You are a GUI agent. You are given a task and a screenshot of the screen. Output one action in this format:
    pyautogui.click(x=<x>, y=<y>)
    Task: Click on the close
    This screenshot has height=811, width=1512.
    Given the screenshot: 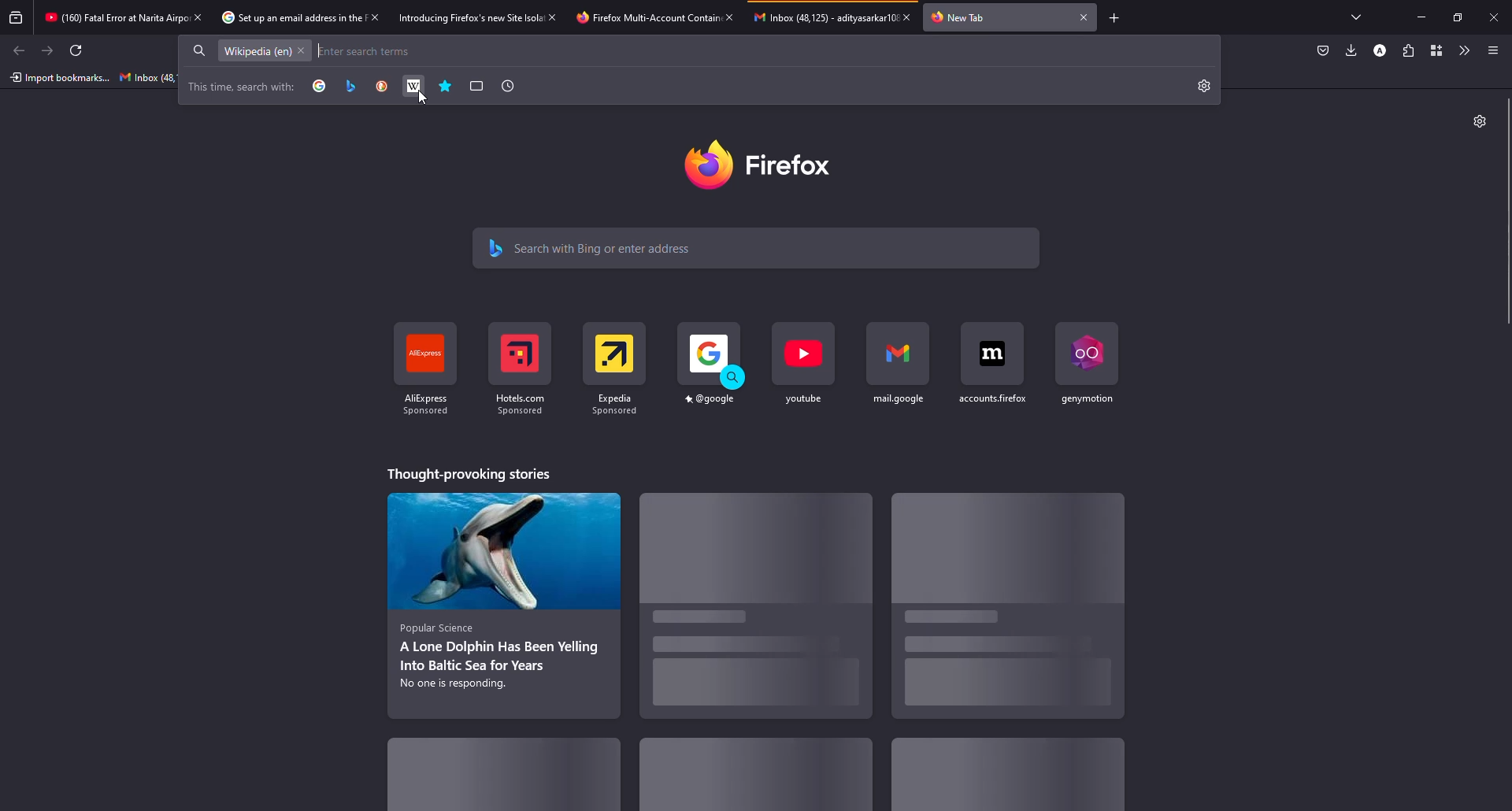 What is the action you would take?
    pyautogui.click(x=302, y=51)
    